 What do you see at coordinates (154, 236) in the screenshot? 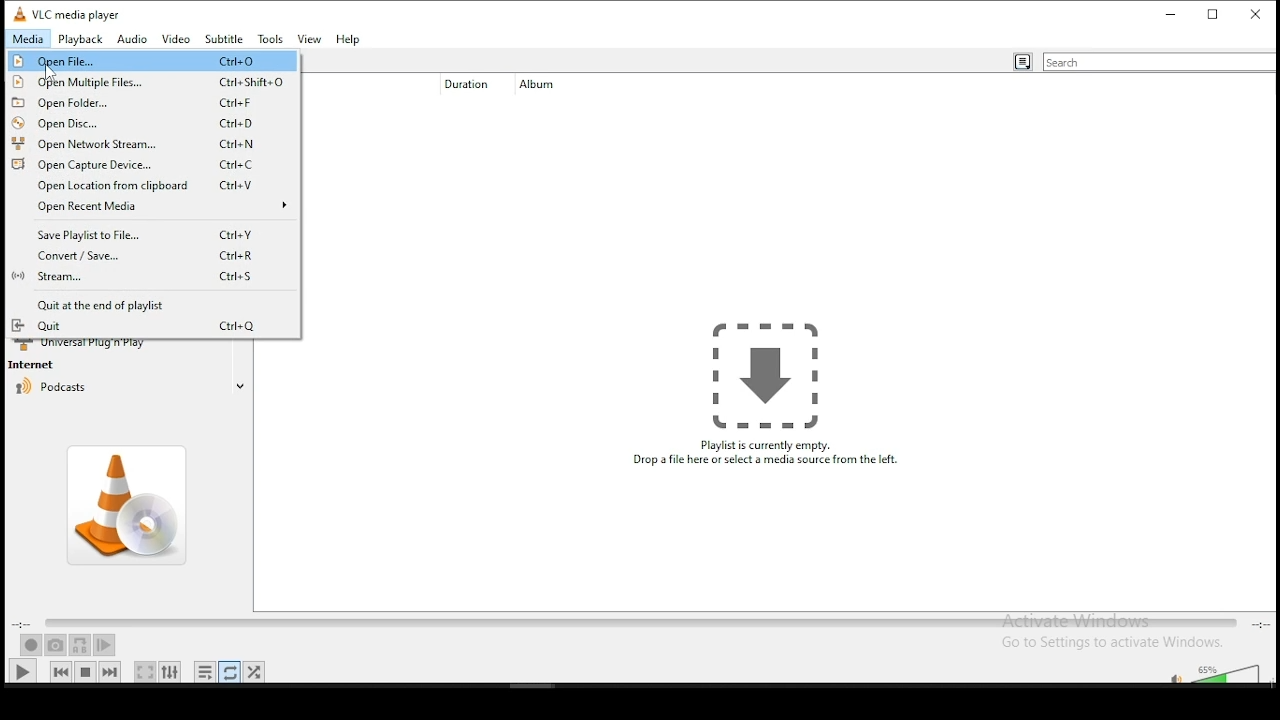
I see `save playlist to file` at bounding box center [154, 236].